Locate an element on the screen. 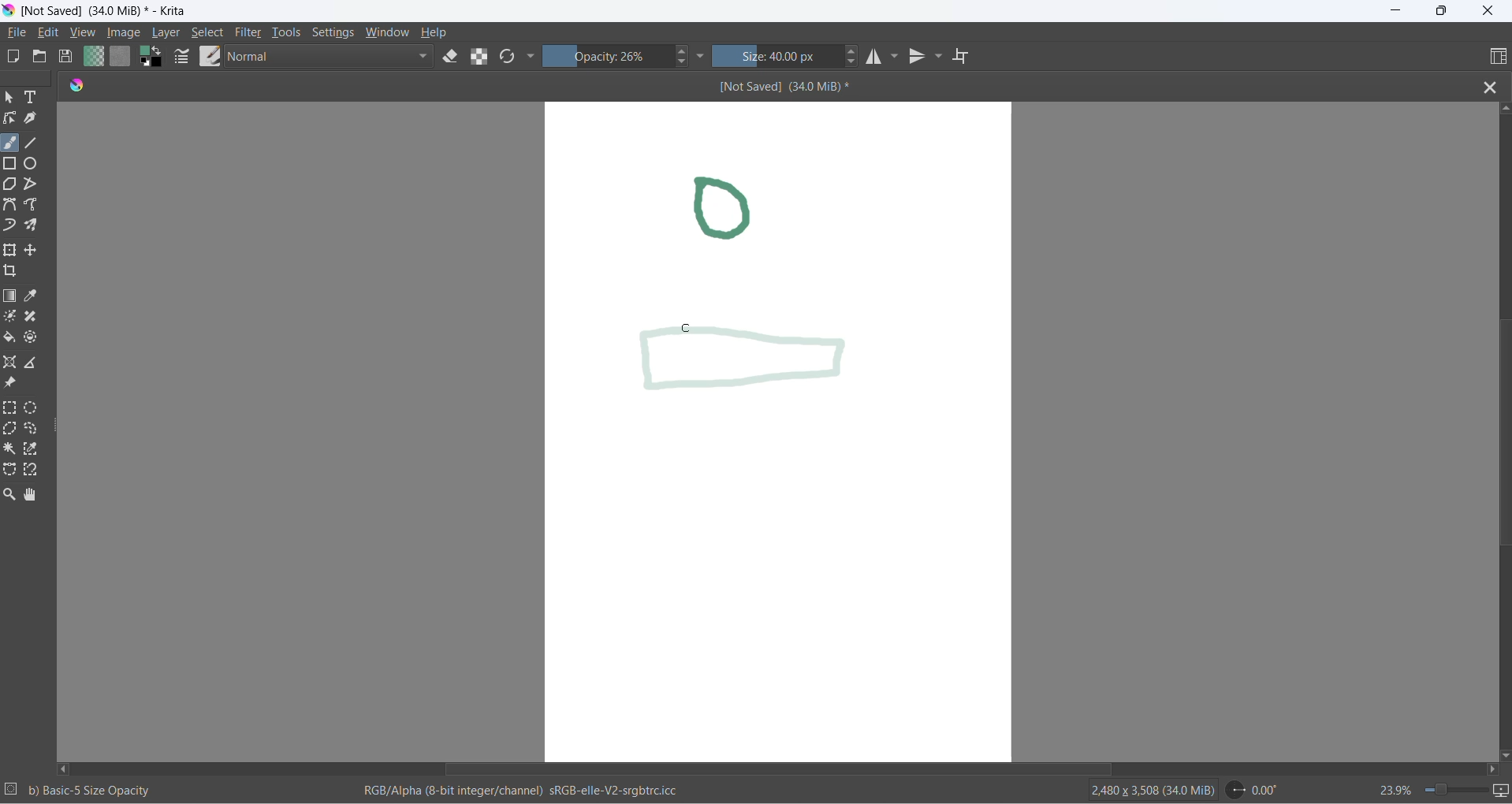 This screenshot has height=804, width=1512. choose workspace is located at coordinates (1490, 56).